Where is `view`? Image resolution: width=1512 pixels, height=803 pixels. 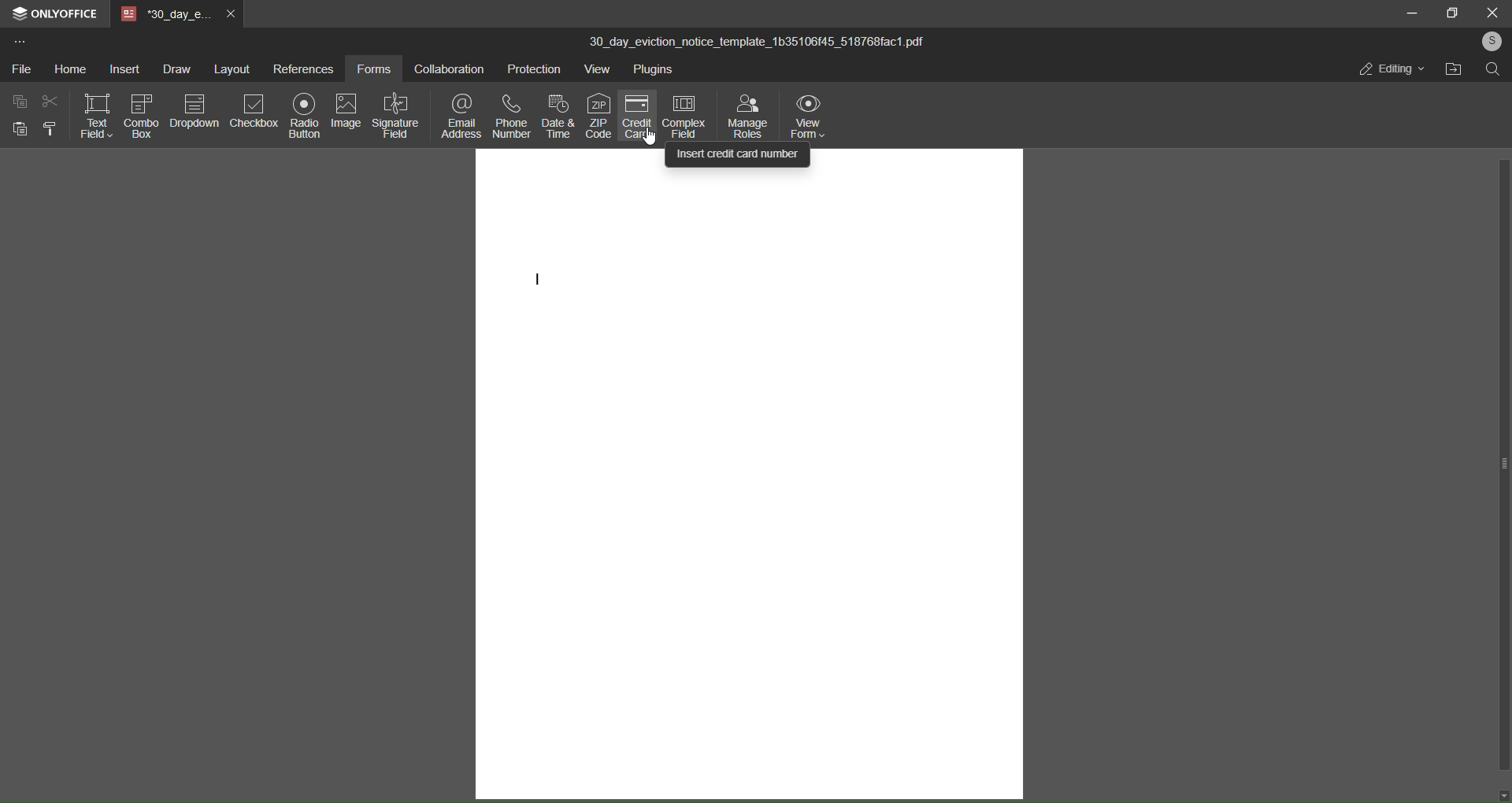
view is located at coordinates (597, 69).